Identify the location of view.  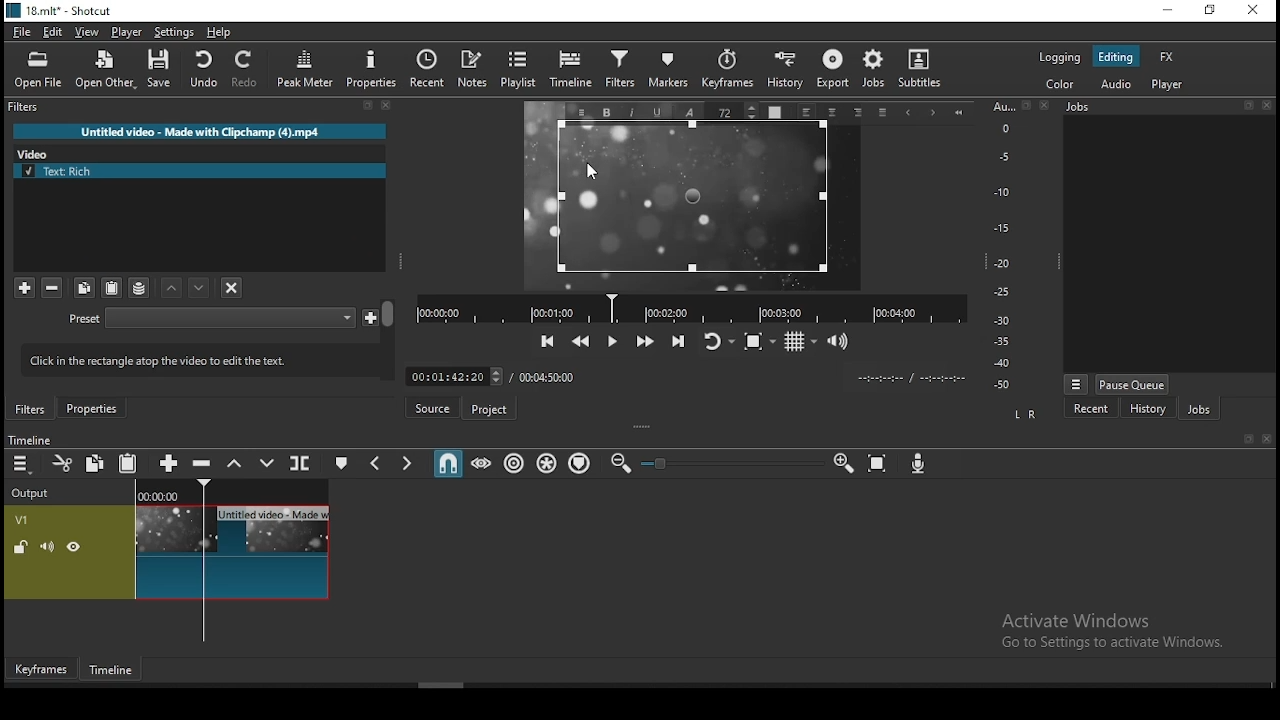
(87, 33).